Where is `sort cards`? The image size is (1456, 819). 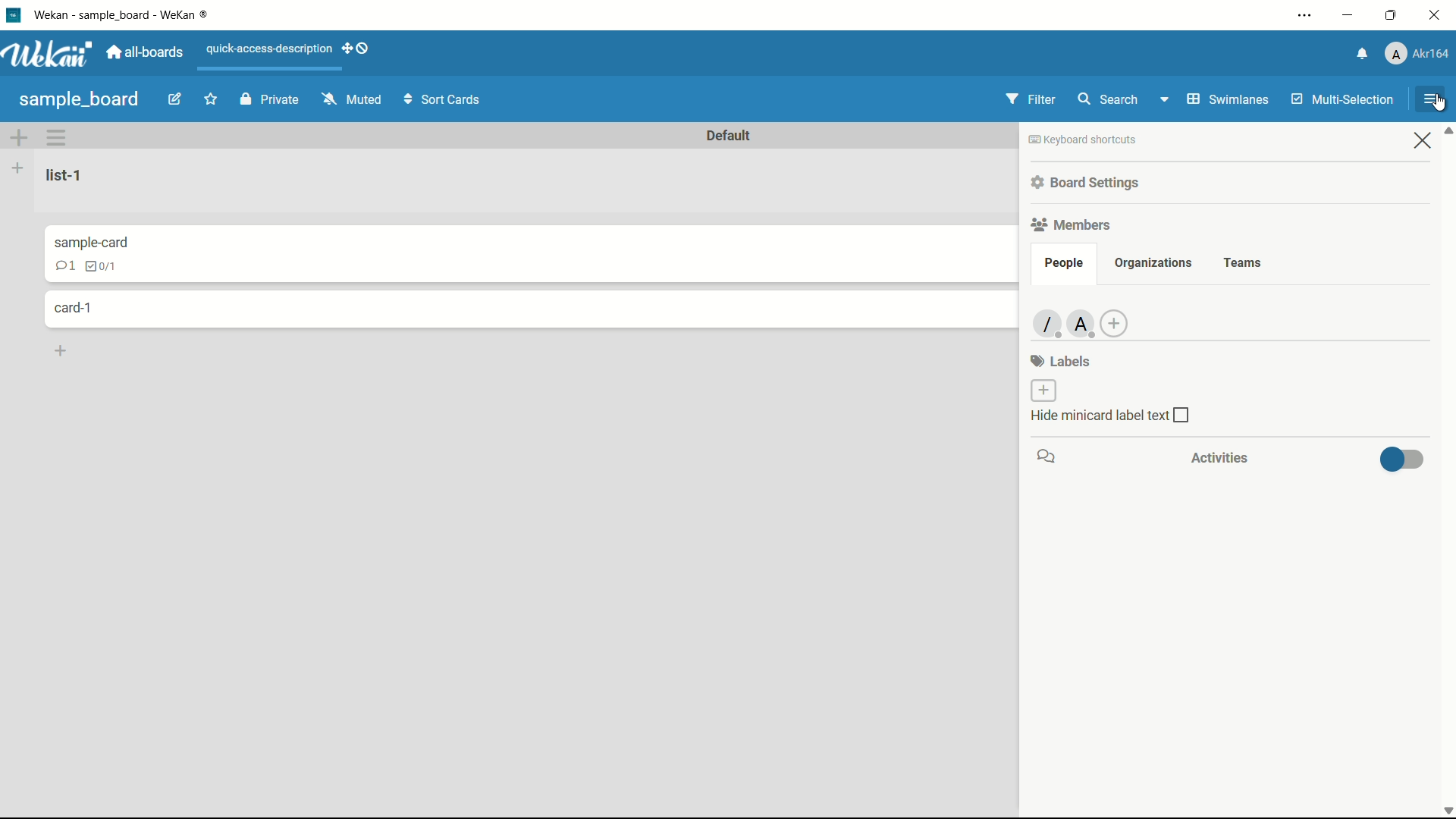
sort cards is located at coordinates (448, 100).